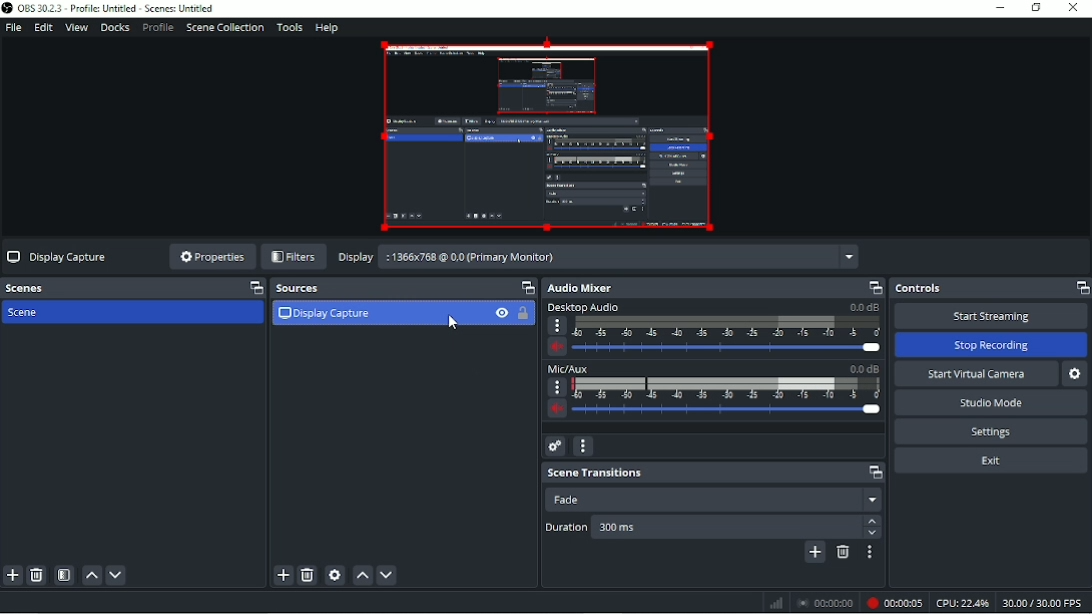  What do you see at coordinates (1045, 603) in the screenshot?
I see `30.00/30.00FPS` at bounding box center [1045, 603].